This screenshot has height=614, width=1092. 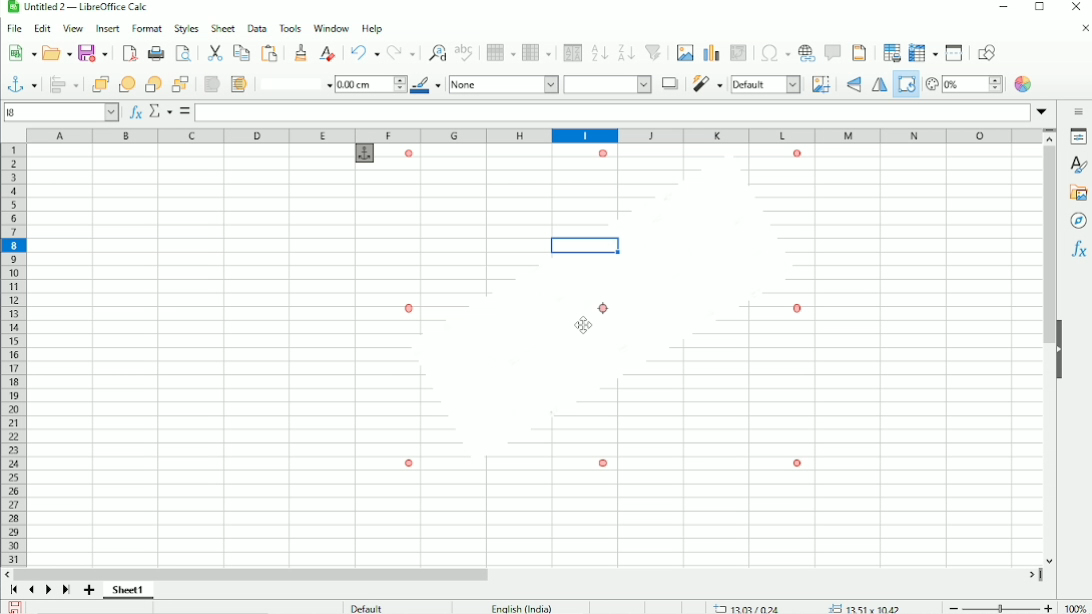 What do you see at coordinates (1042, 110) in the screenshot?
I see `Expand formula bar` at bounding box center [1042, 110].